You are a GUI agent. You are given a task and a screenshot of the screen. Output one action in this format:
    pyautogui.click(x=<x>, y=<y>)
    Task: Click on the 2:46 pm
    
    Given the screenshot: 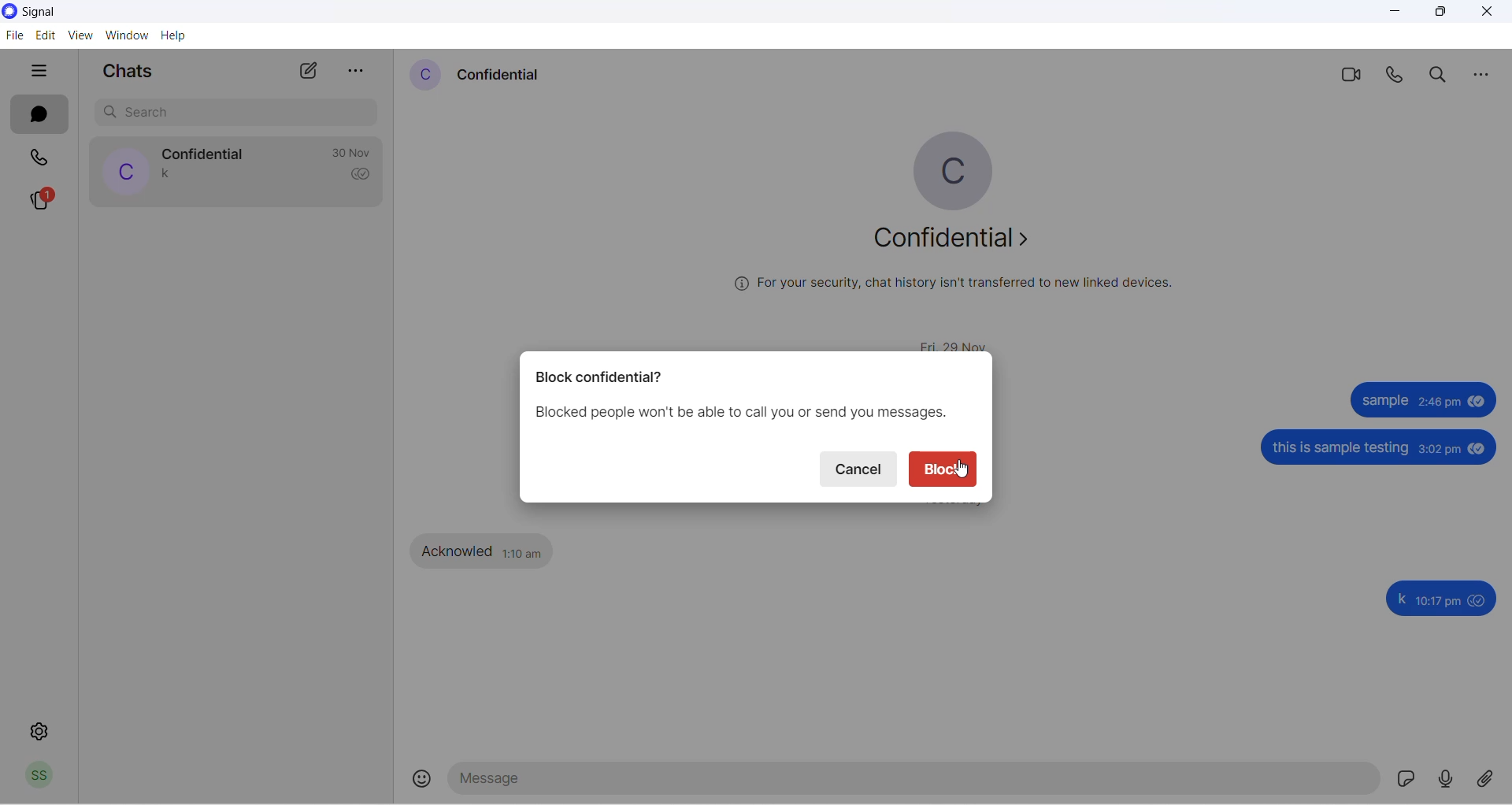 What is the action you would take?
    pyautogui.click(x=1441, y=400)
    